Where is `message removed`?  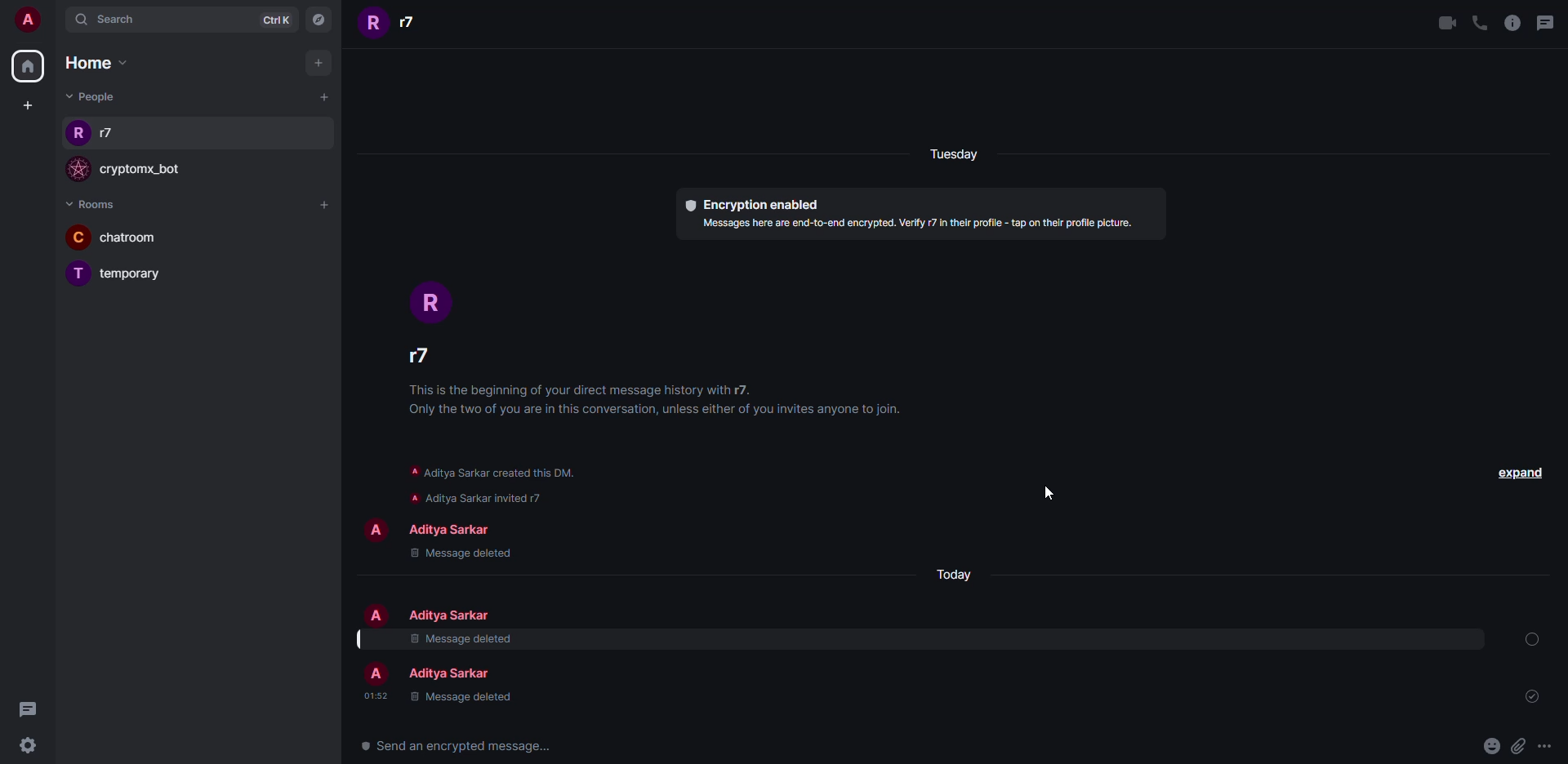 message removed is located at coordinates (465, 638).